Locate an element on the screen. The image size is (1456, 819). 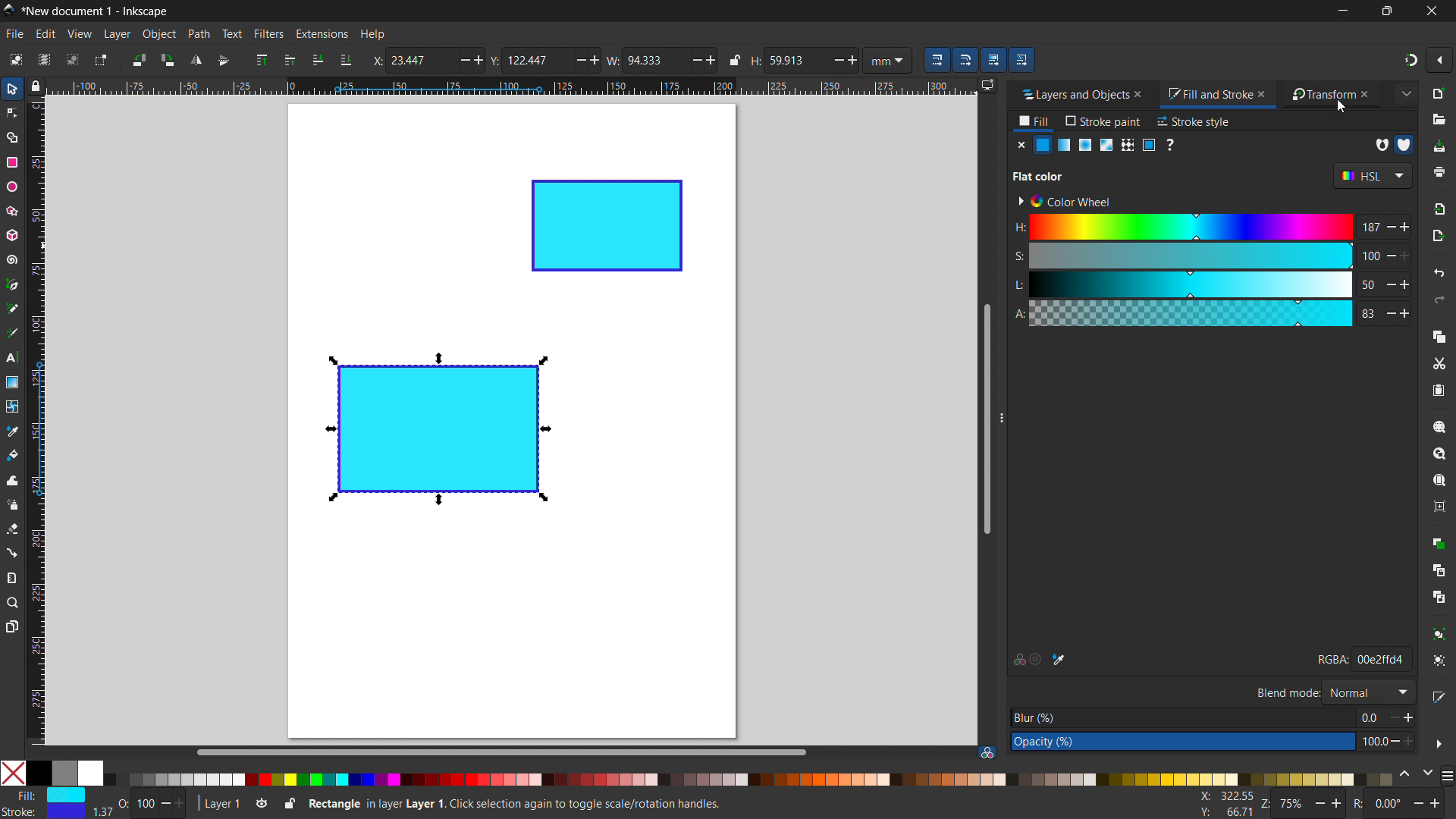
erasor tool is located at coordinates (12, 529).